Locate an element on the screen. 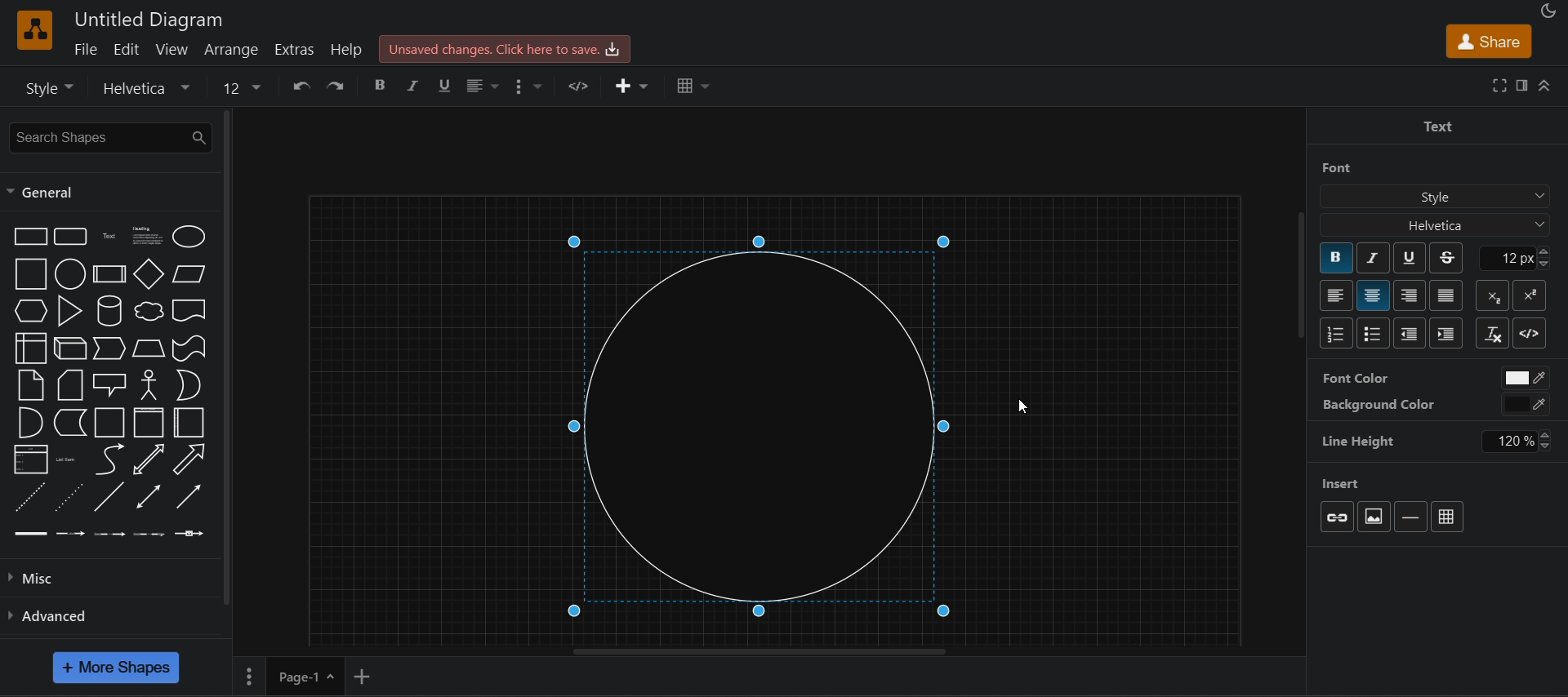  table is located at coordinates (688, 87).